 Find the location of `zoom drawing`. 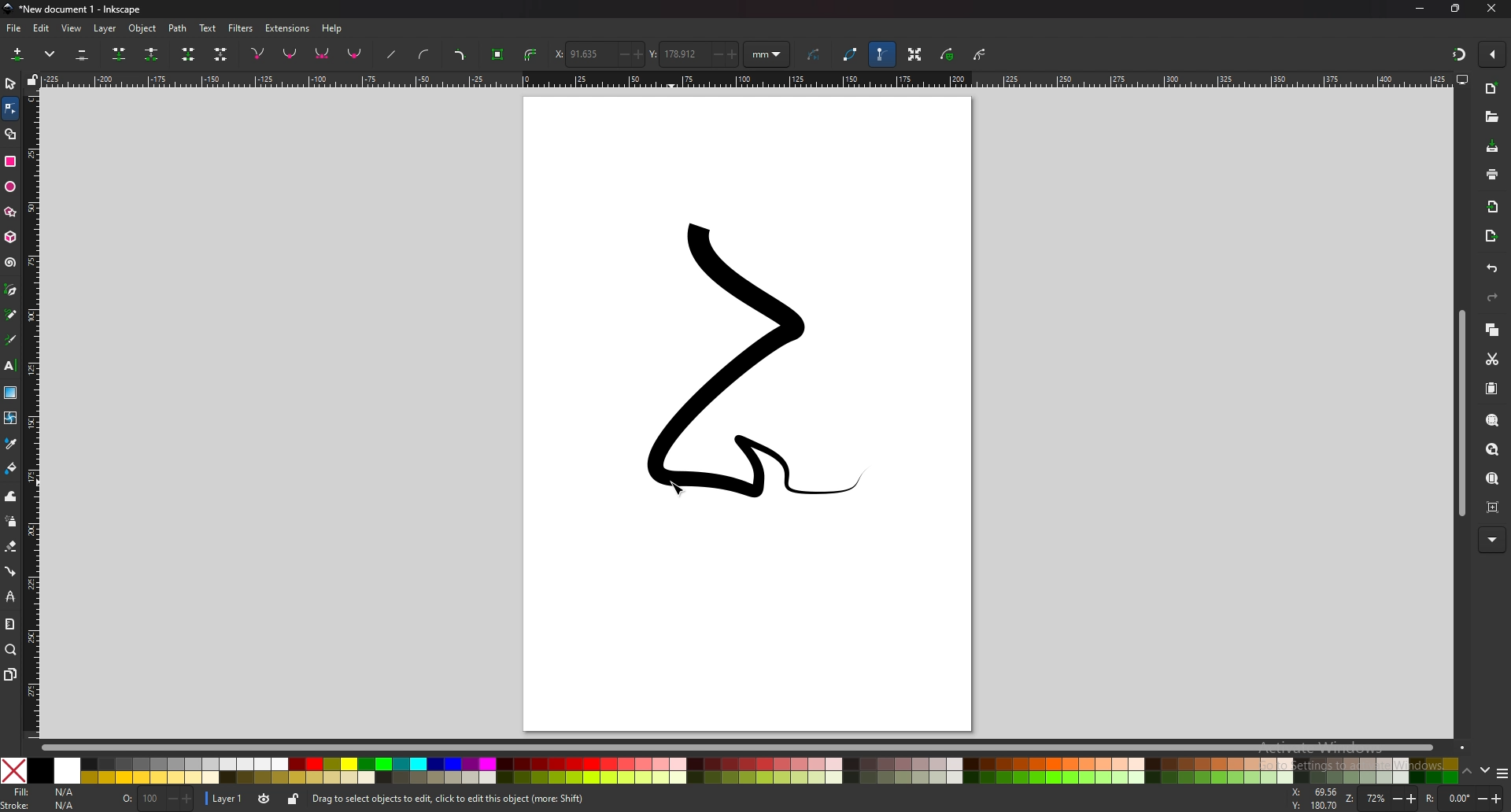

zoom drawing is located at coordinates (1493, 449).